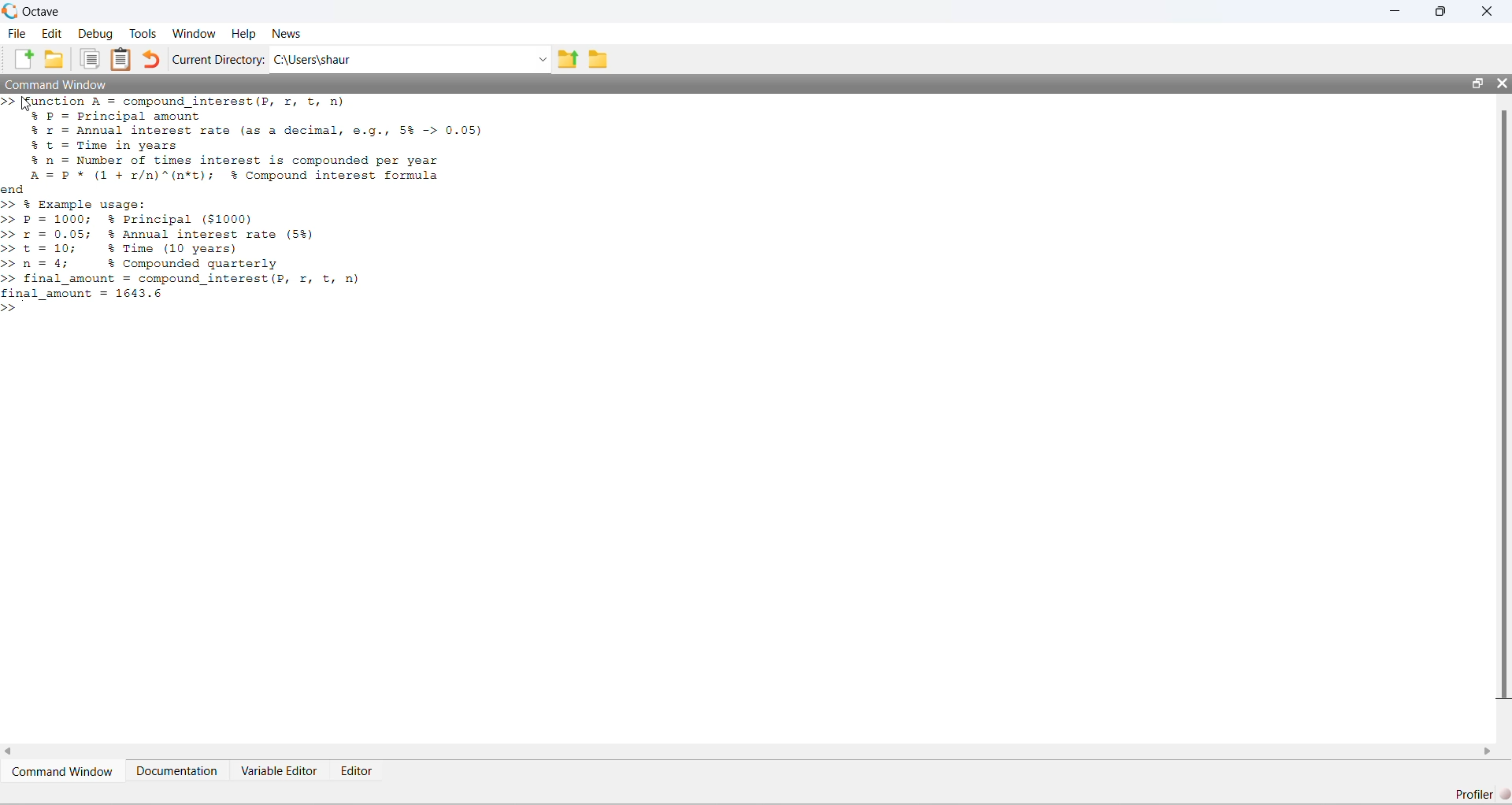  Describe the element at coordinates (287, 33) in the screenshot. I see `News` at that location.